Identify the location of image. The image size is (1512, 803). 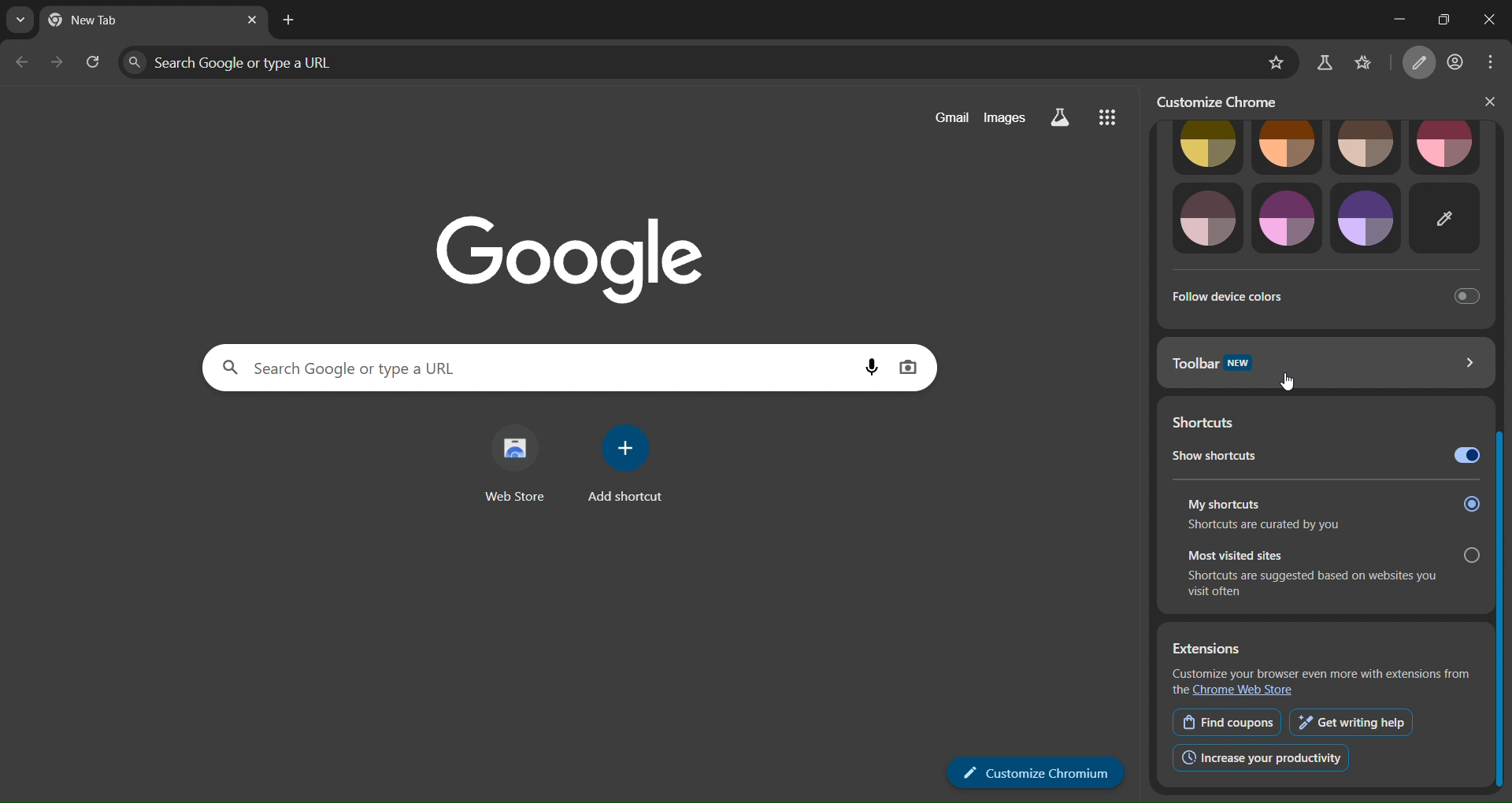
(1447, 219).